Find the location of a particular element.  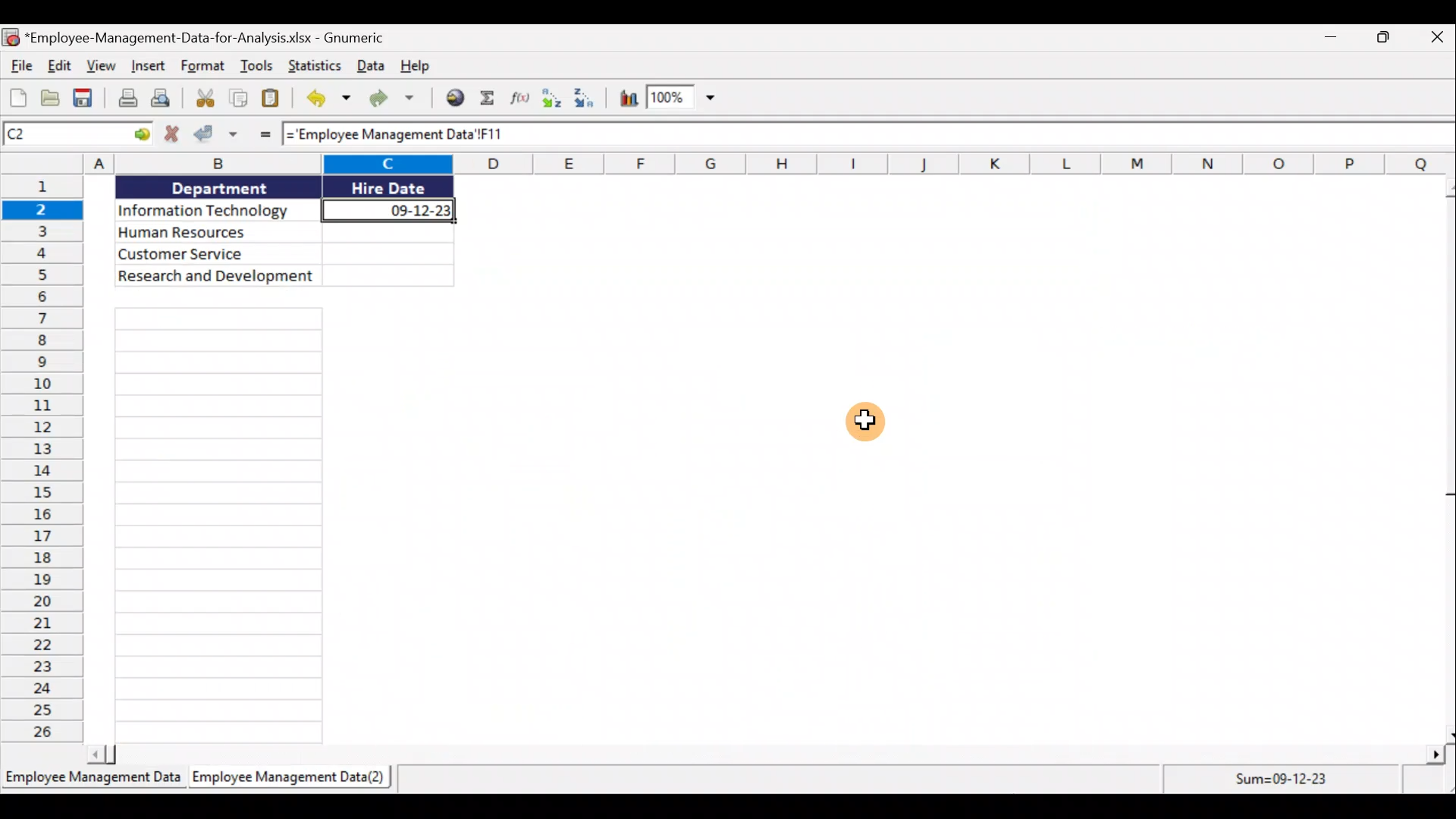

Columns is located at coordinates (728, 163).